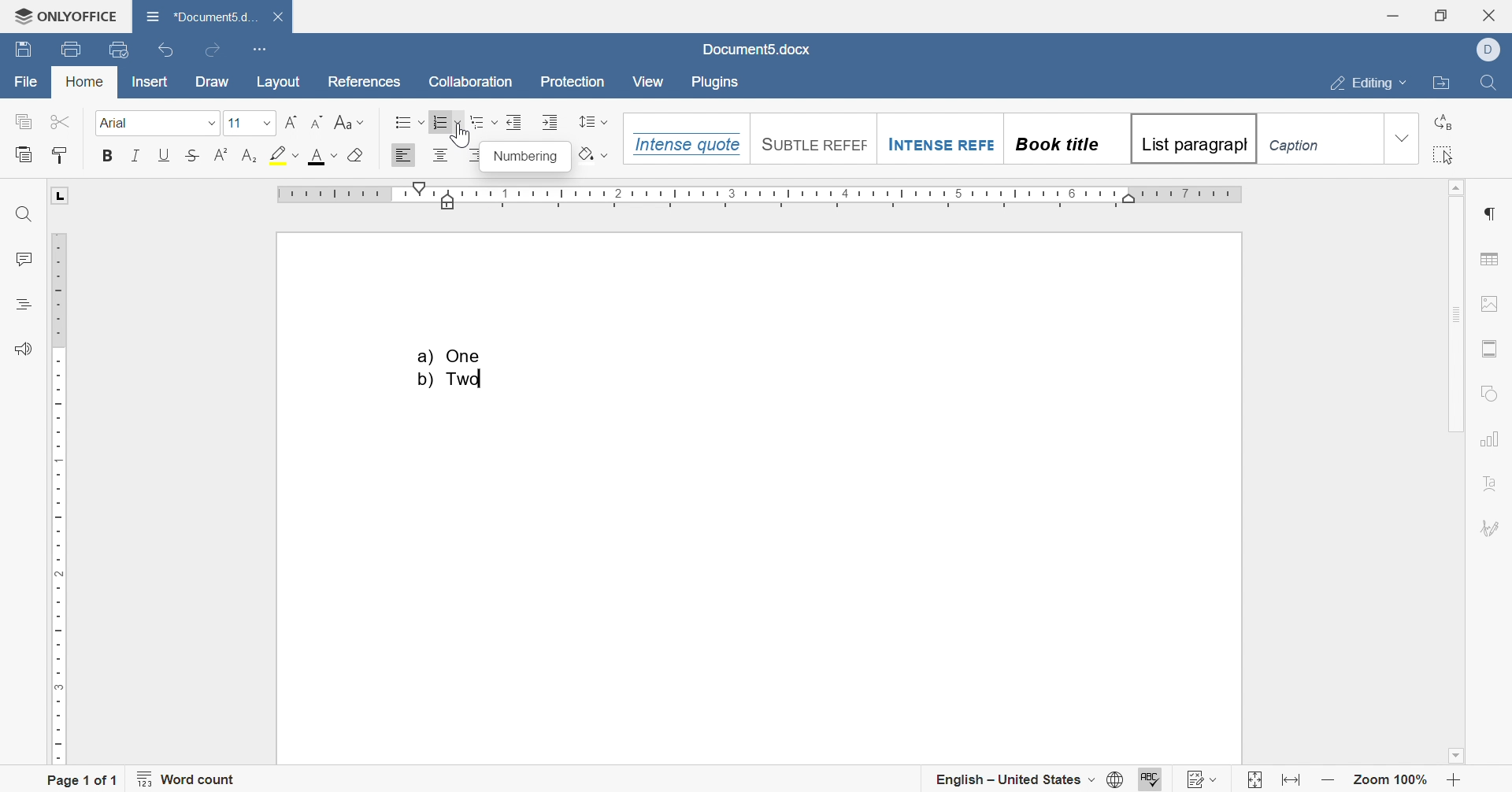  What do you see at coordinates (151, 83) in the screenshot?
I see `insert` at bounding box center [151, 83].